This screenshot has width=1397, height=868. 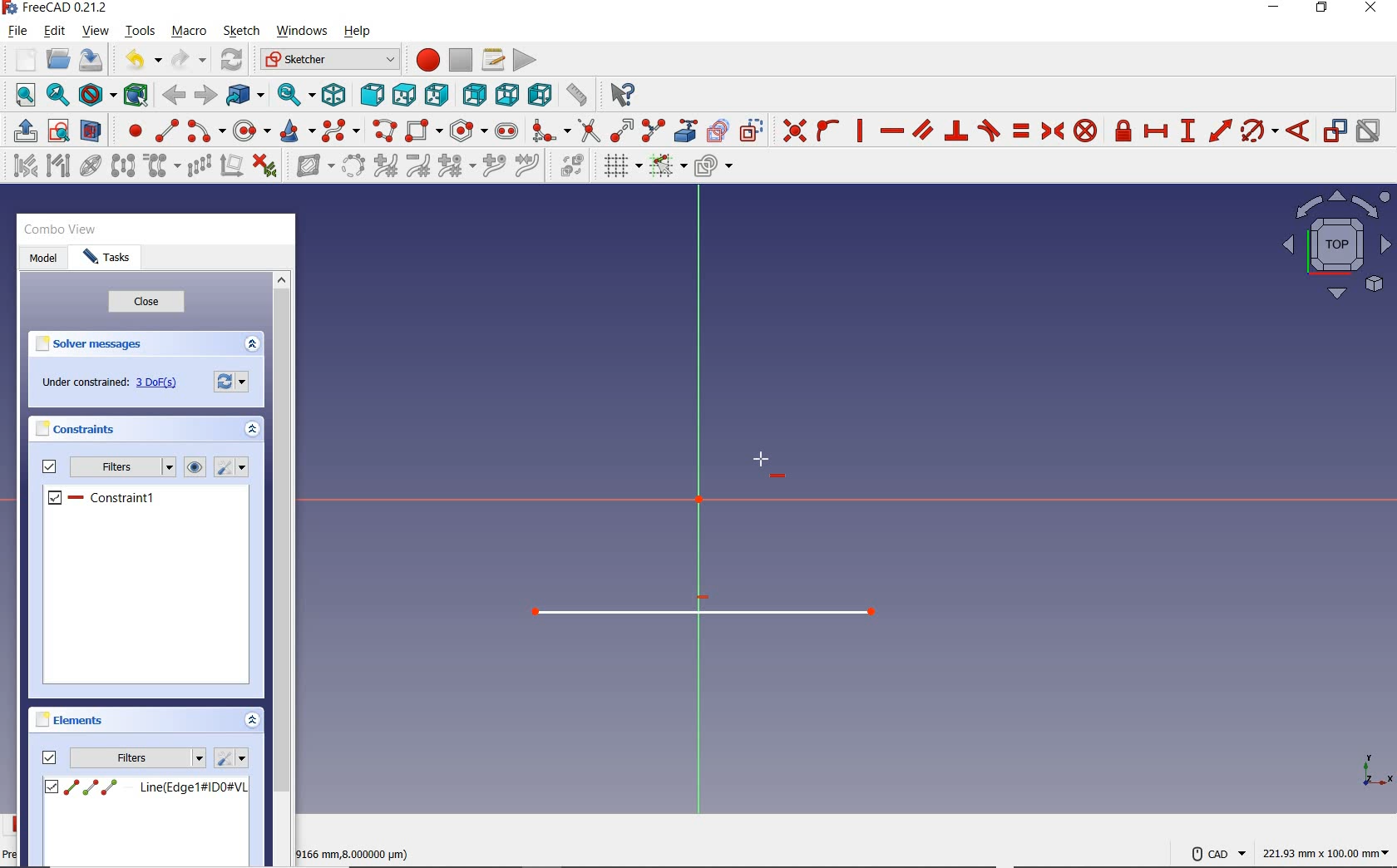 What do you see at coordinates (1278, 8) in the screenshot?
I see `MINIMIZE` at bounding box center [1278, 8].